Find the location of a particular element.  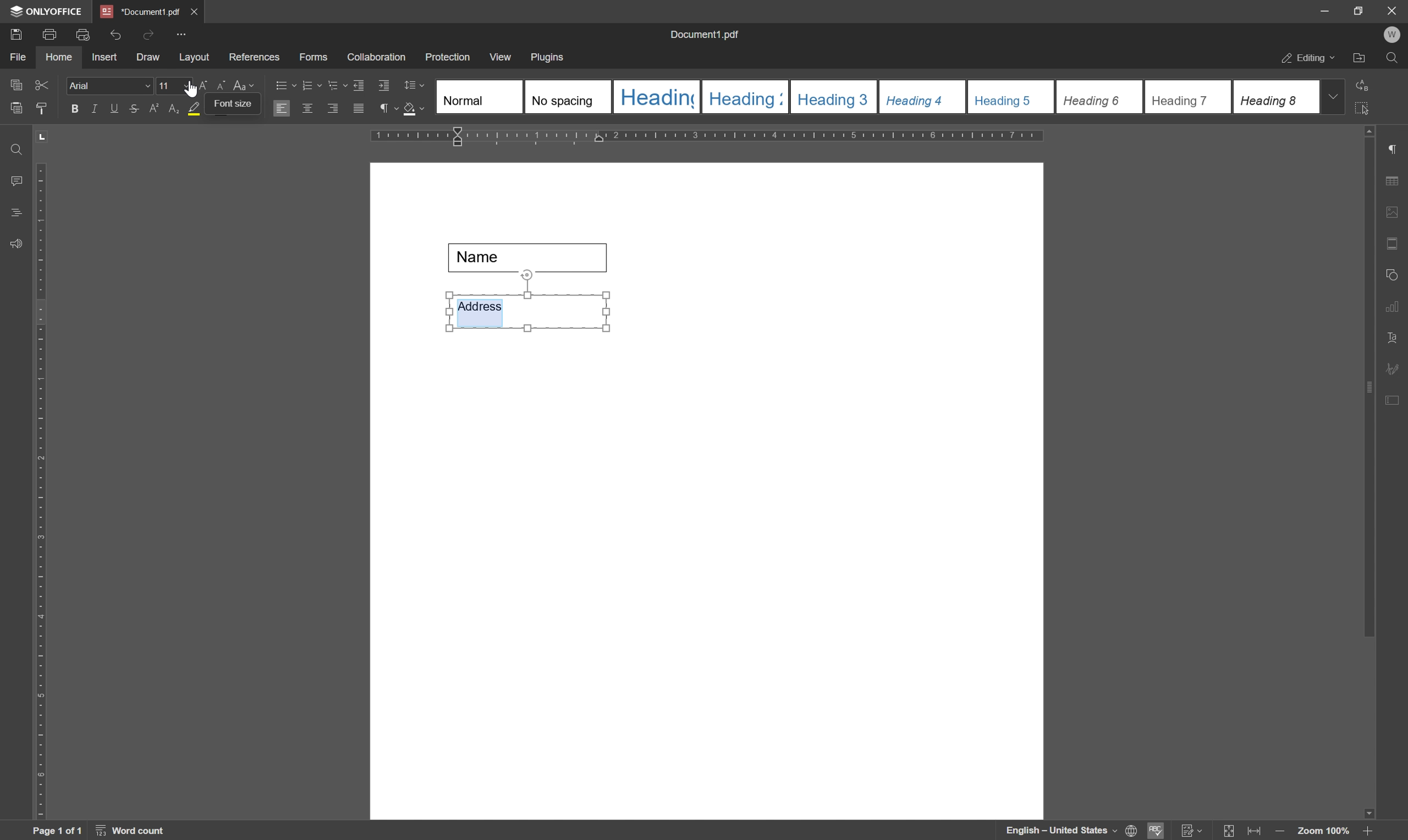

Name is located at coordinates (533, 258).